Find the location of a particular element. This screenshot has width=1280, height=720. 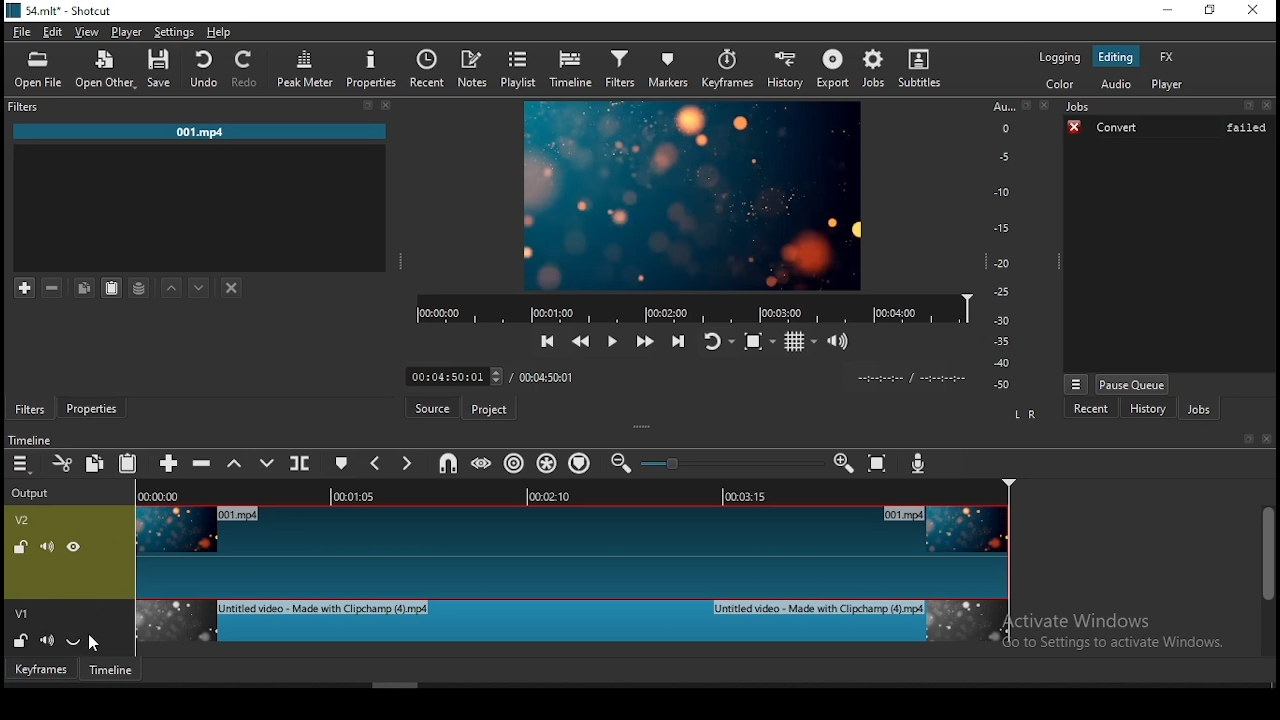

markers is located at coordinates (665, 68).